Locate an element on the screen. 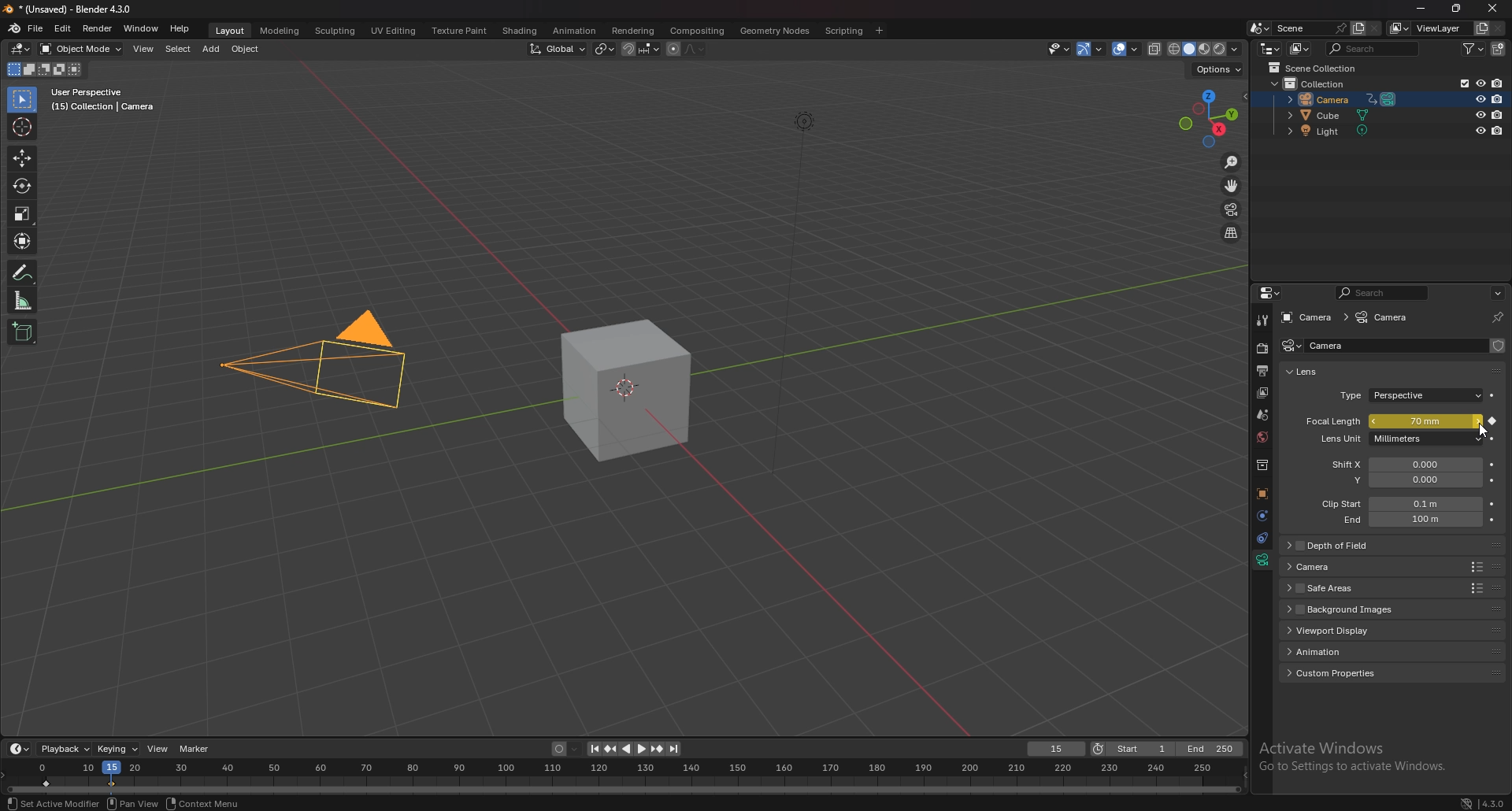  file is located at coordinates (37, 29).